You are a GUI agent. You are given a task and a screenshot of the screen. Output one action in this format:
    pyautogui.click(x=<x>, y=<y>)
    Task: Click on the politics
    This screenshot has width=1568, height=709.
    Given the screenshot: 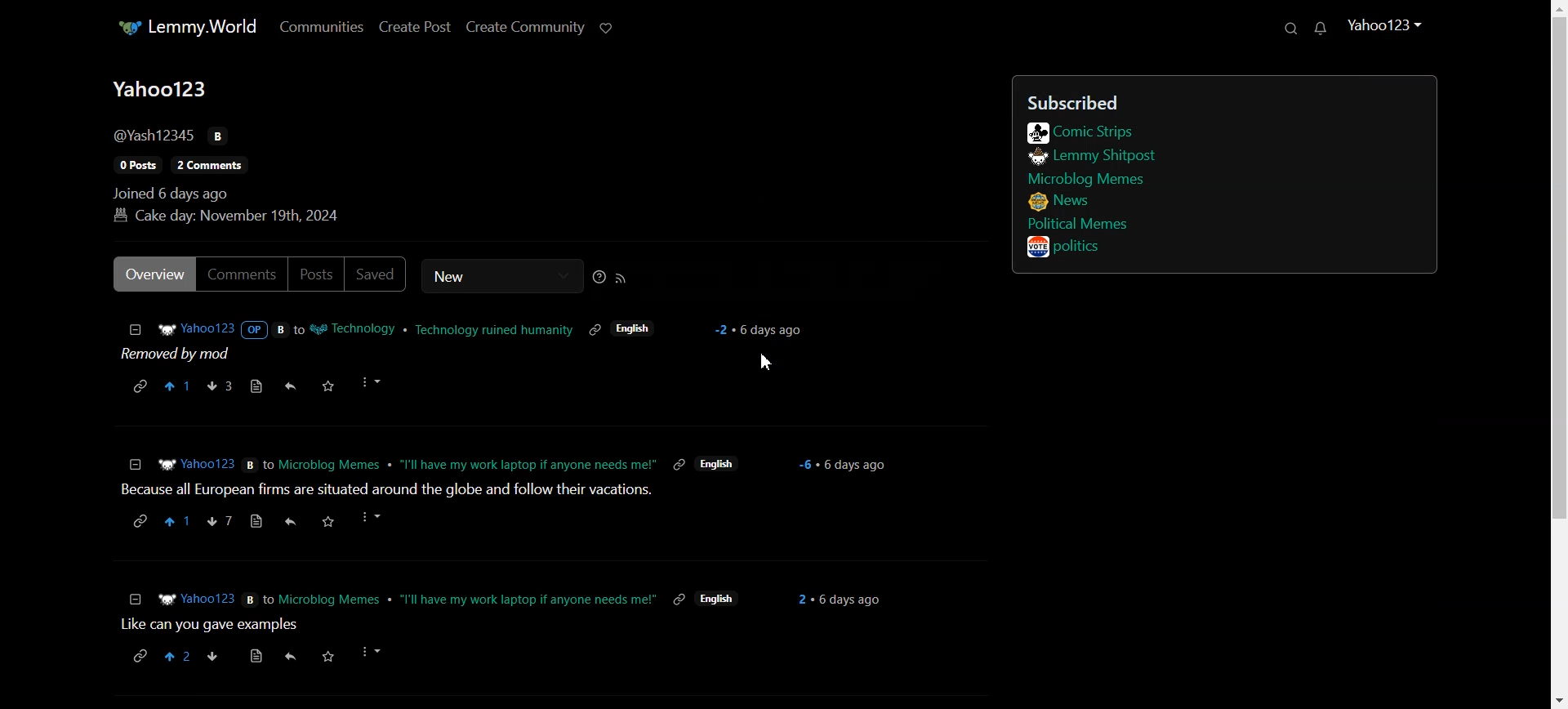 What is the action you would take?
    pyautogui.click(x=1068, y=247)
    